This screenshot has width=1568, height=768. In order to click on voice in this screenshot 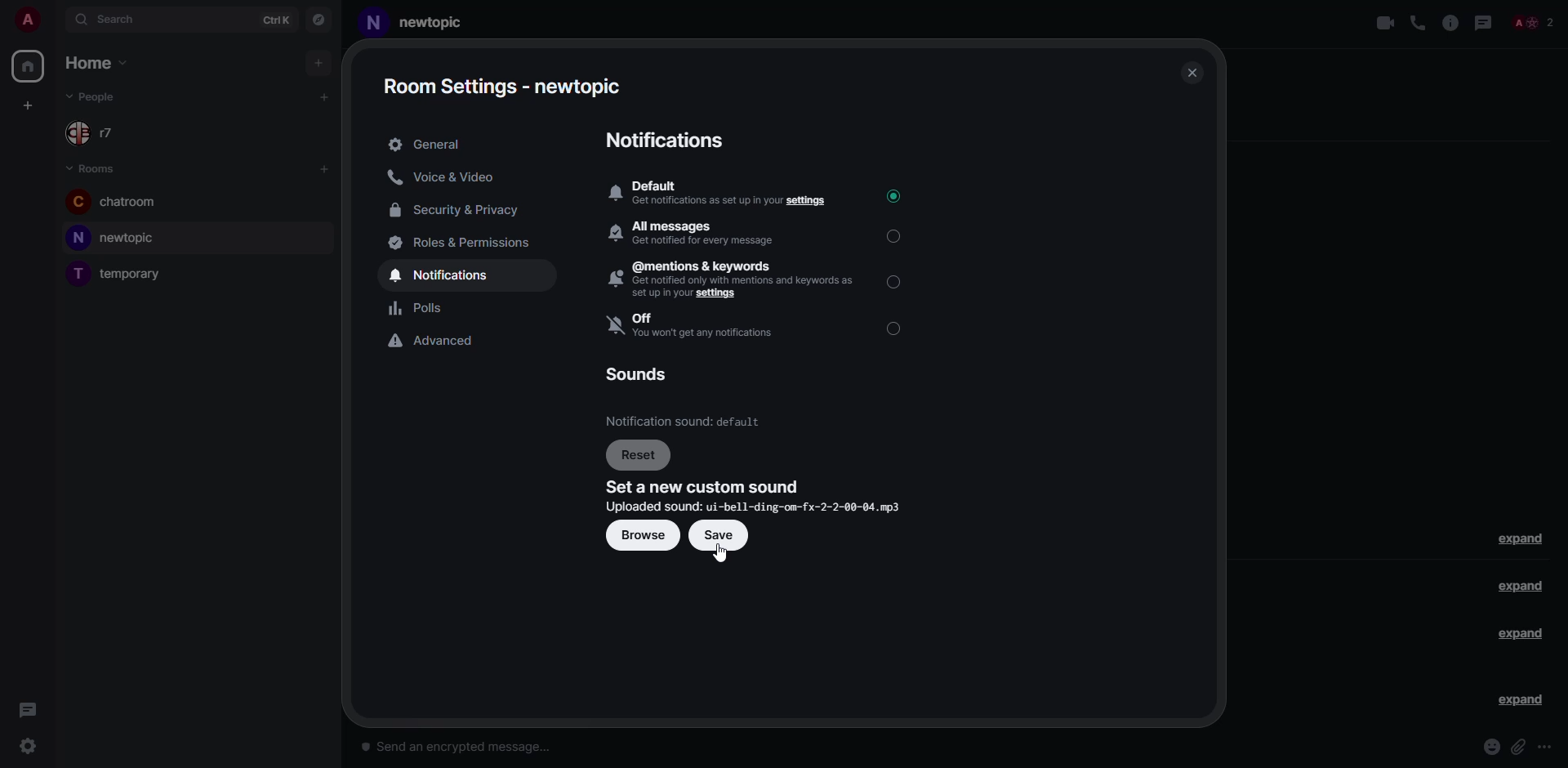, I will do `click(1418, 25)`.